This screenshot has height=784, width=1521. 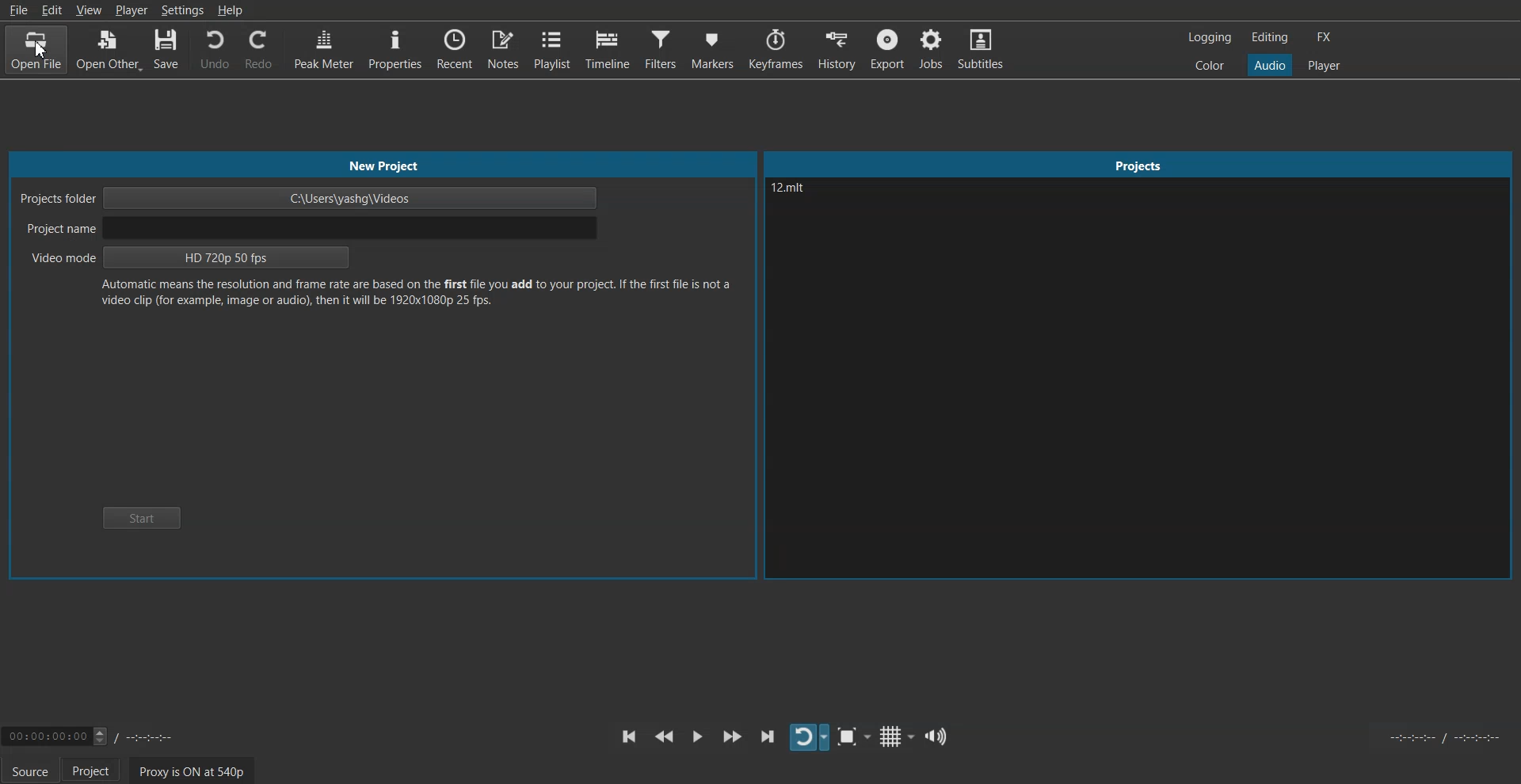 I want to click on View, so click(x=89, y=10).